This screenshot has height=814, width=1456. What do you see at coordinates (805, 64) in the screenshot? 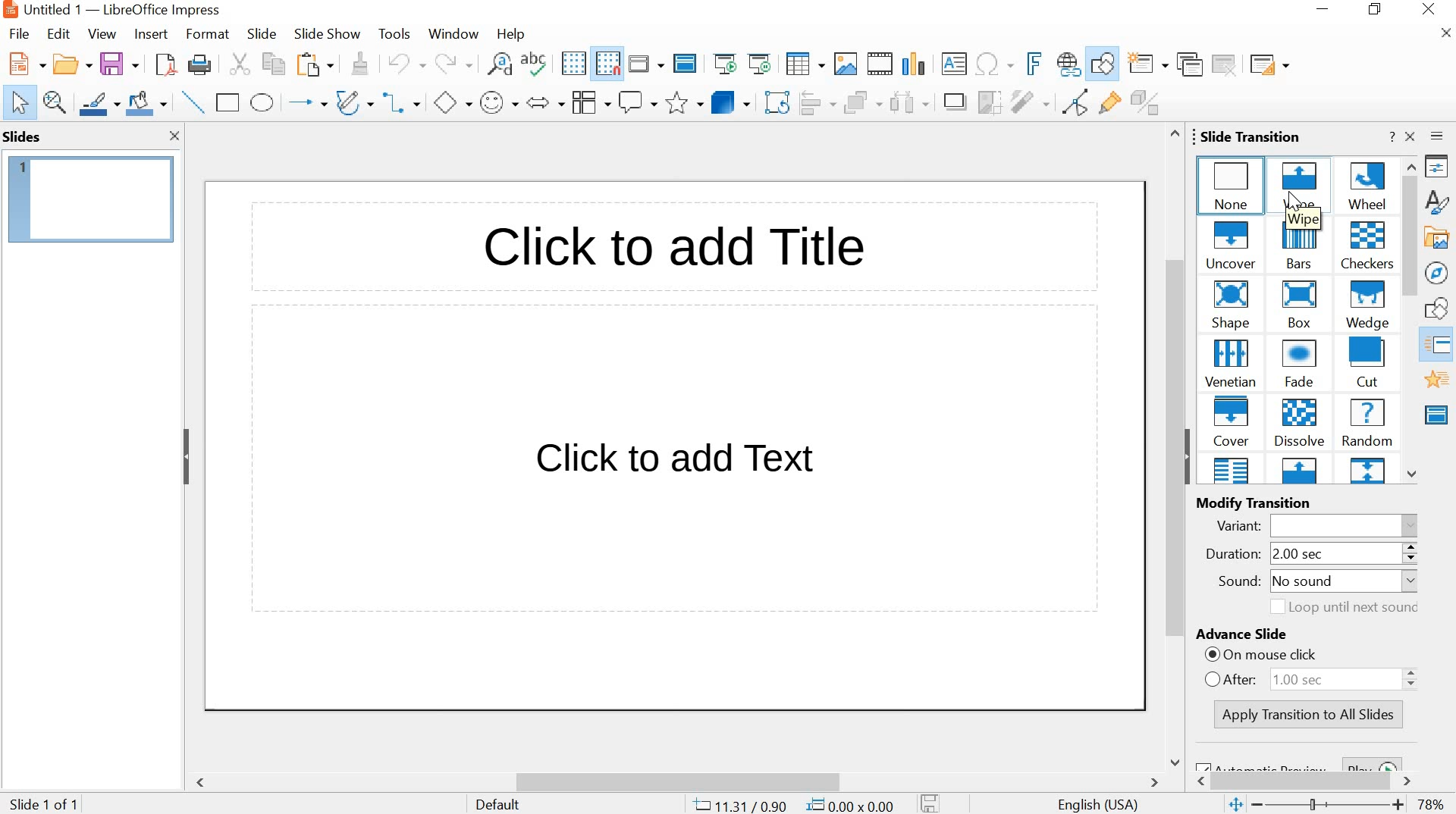
I see `Table` at bounding box center [805, 64].